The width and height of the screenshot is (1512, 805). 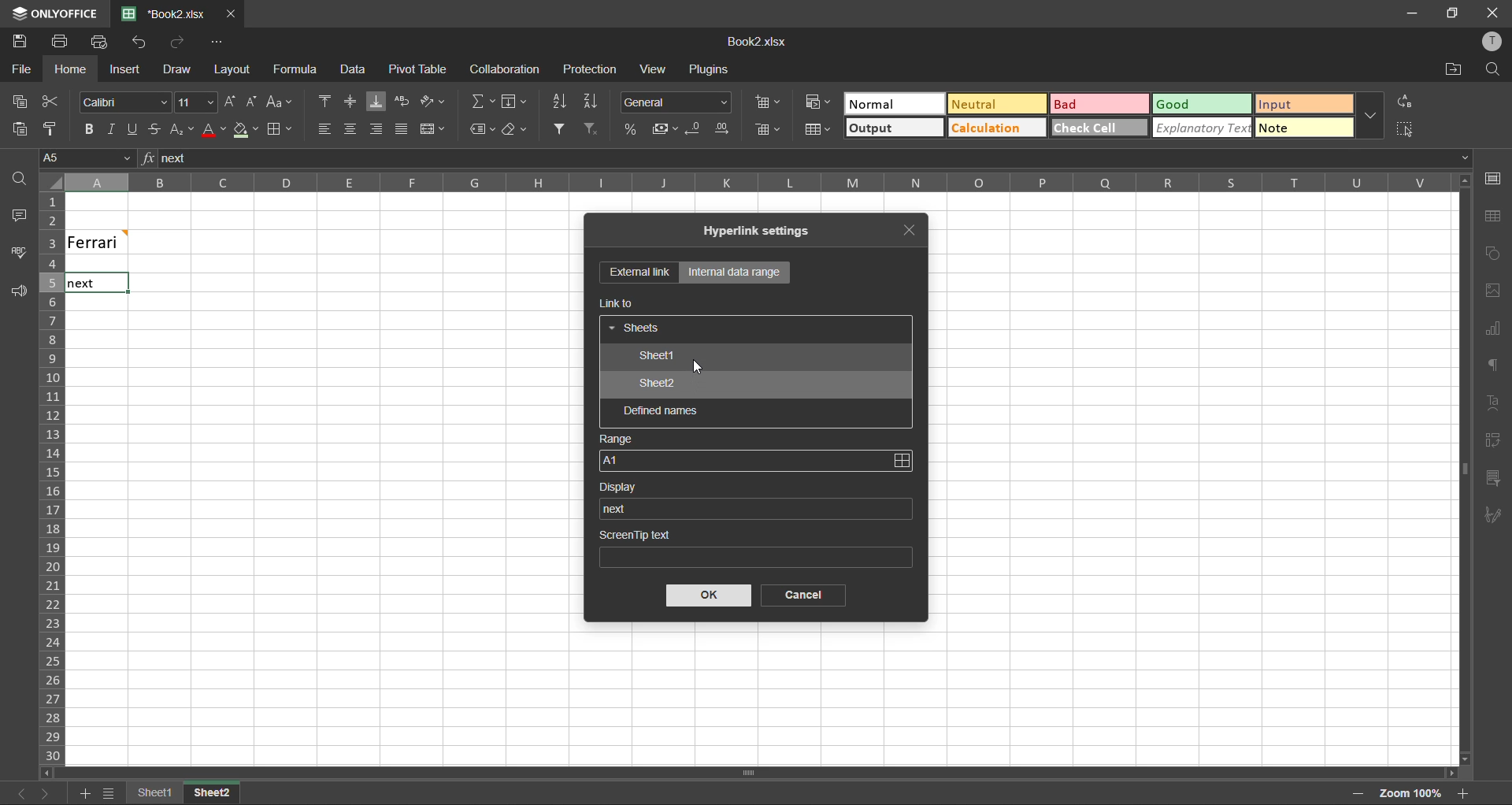 What do you see at coordinates (152, 130) in the screenshot?
I see `strikethrough` at bounding box center [152, 130].